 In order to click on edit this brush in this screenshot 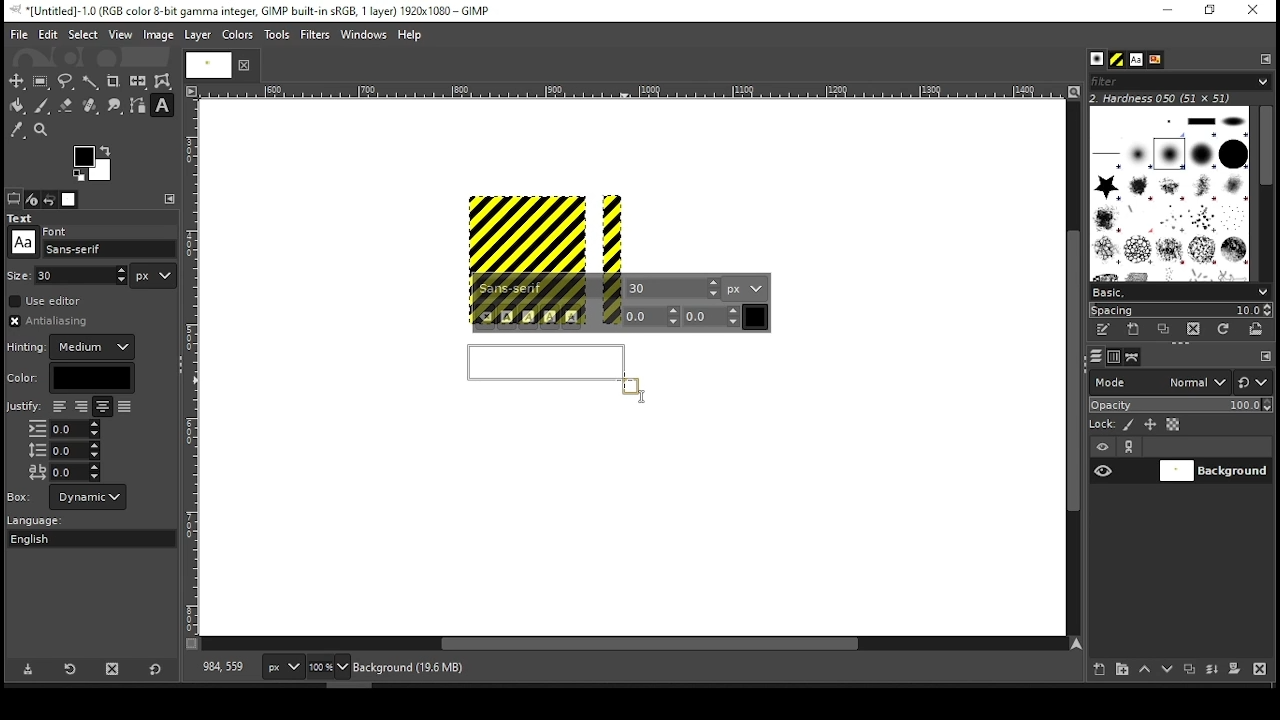, I will do `click(1102, 331)`.